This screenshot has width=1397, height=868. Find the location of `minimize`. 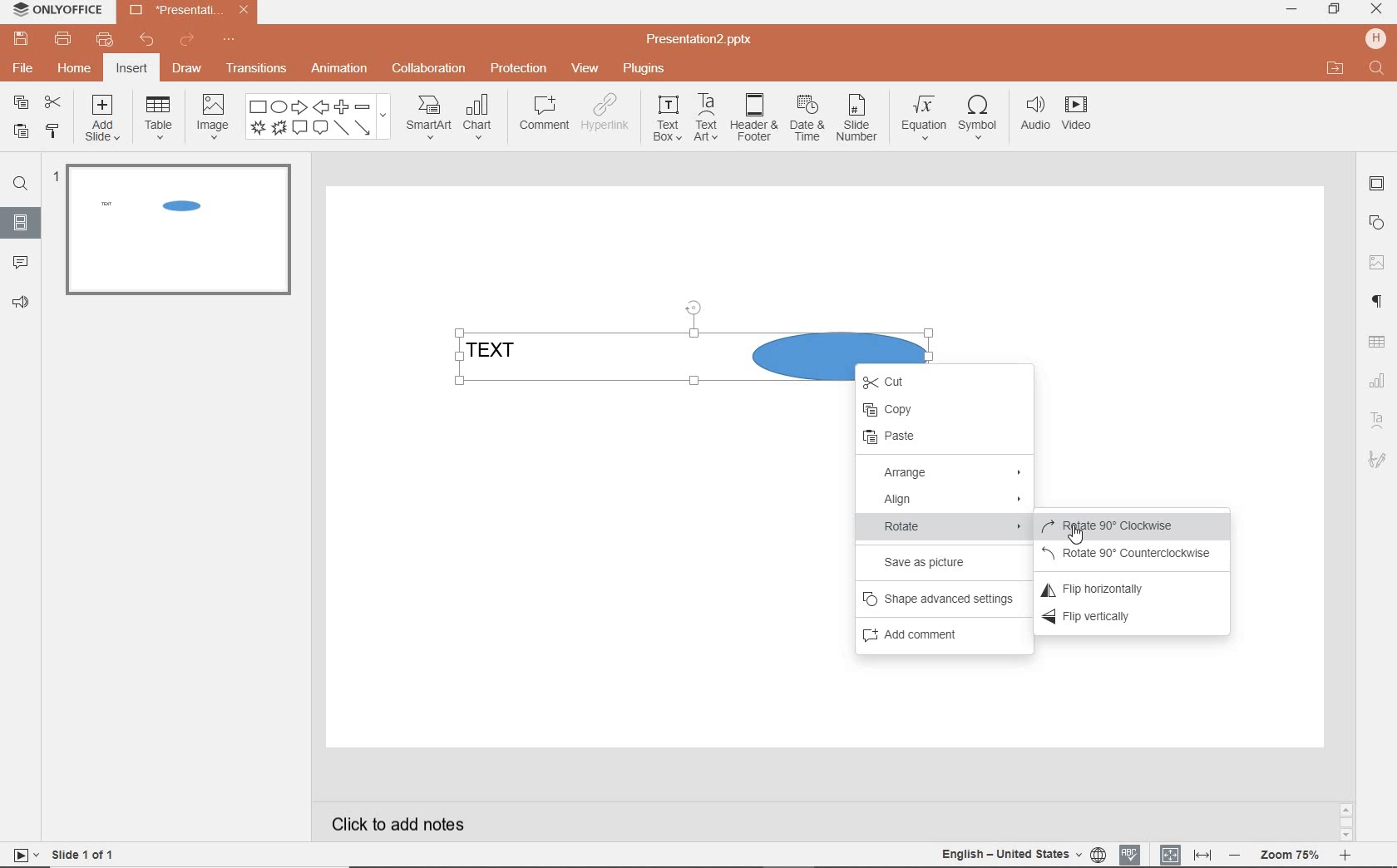

minimize is located at coordinates (1291, 10).